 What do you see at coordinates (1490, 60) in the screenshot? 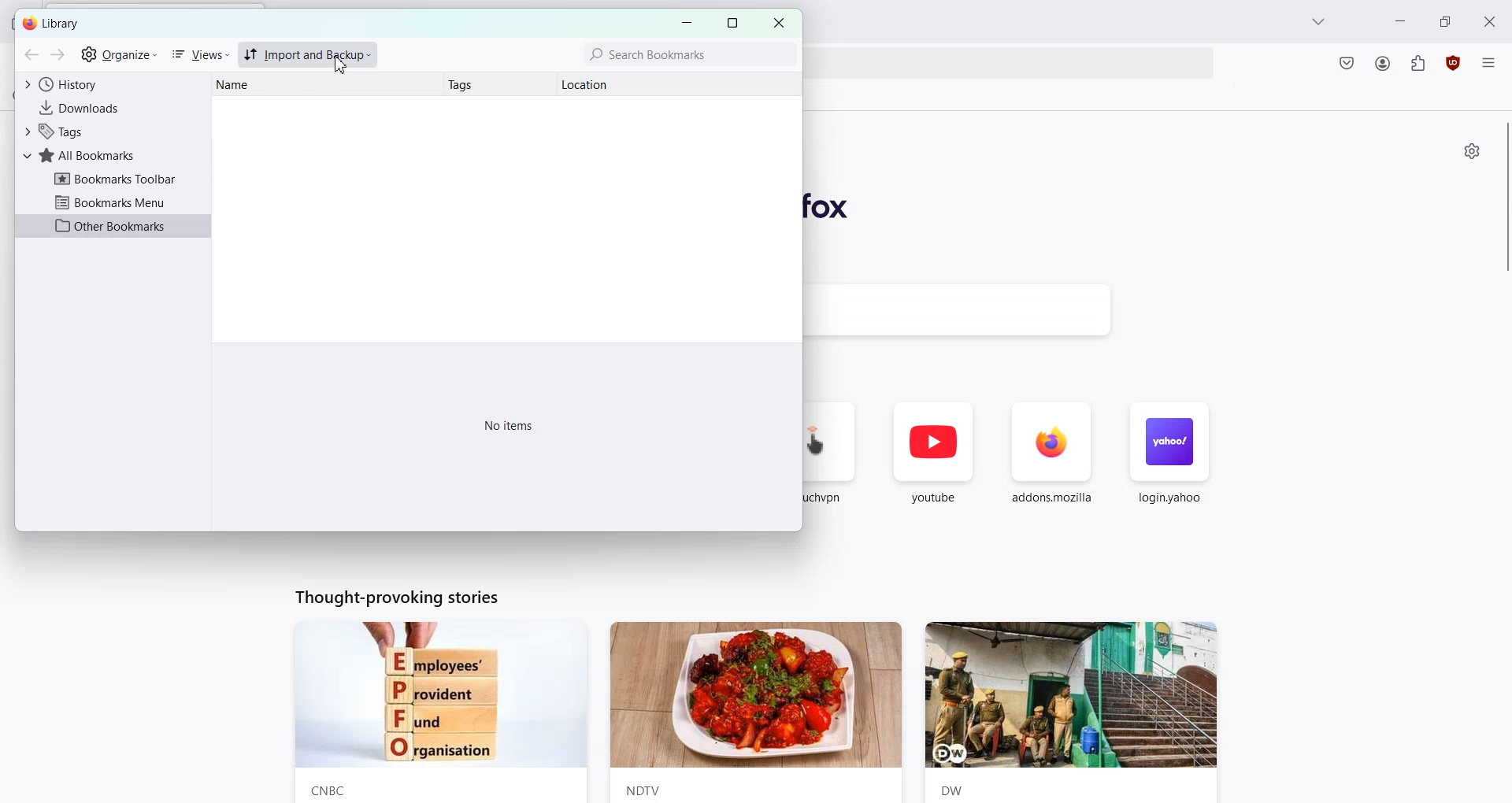
I see `Open application menu` at bounding box center [1490, 60].